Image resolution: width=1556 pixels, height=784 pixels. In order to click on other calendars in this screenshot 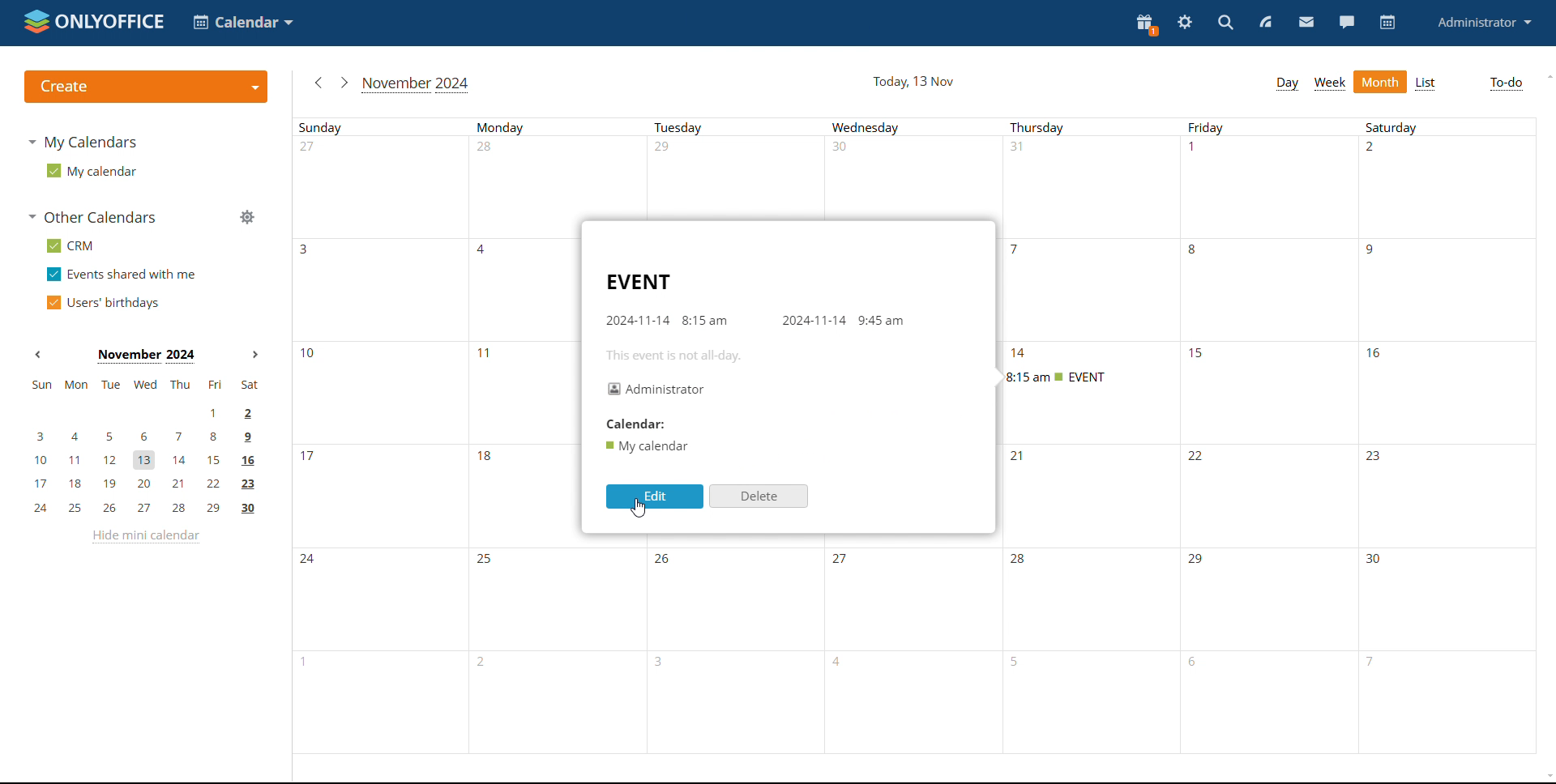, I will do `click(90, 217)`.